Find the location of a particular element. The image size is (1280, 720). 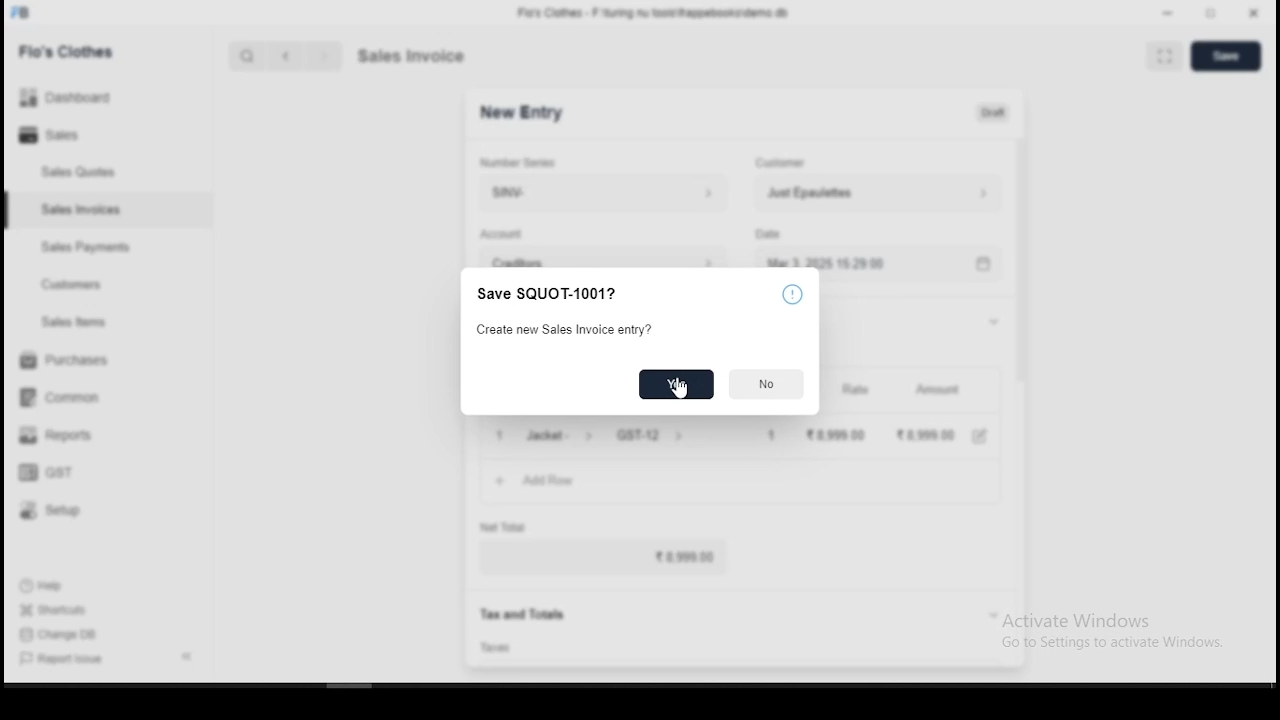

date is located at coordinates (495, 232).